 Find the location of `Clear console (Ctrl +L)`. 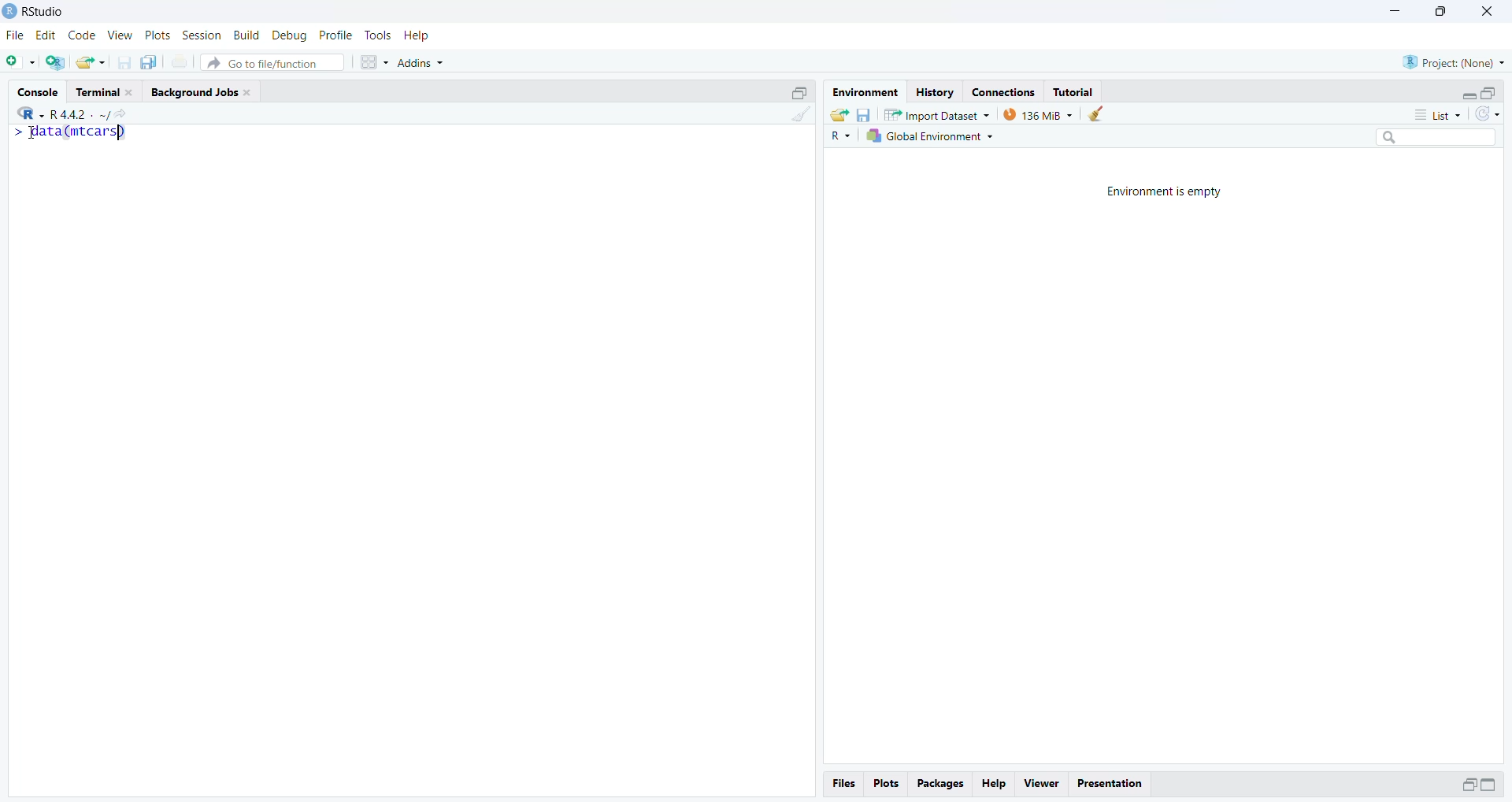

Clear console (Ctrl +L) is located at coordinates (1096, 114).